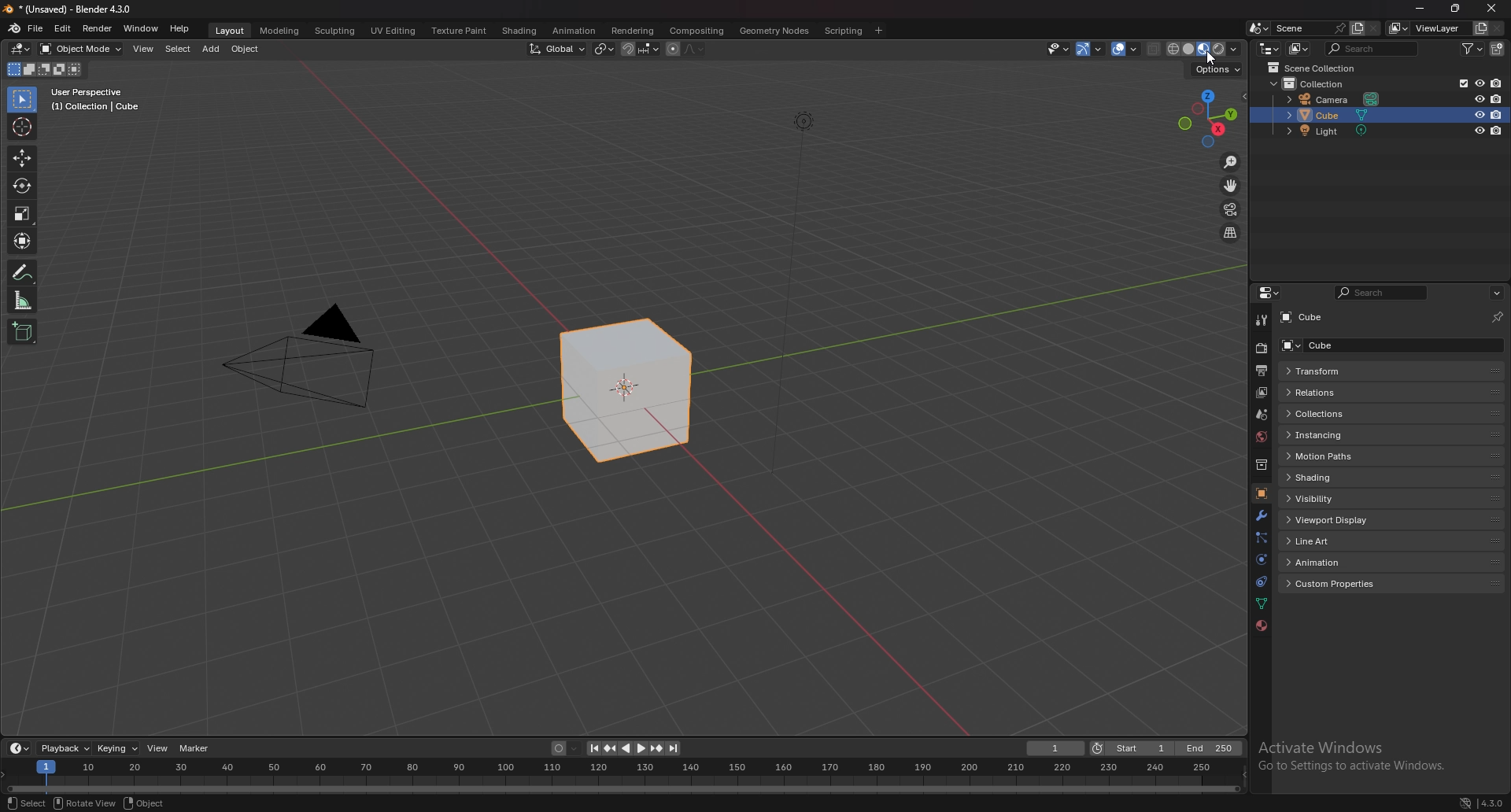 The width and height of the screenshot is (1511, 812). What do you see at coordinates (1260, 349) in the screenshot?
I see `render` at bounding box center [1260, 349].